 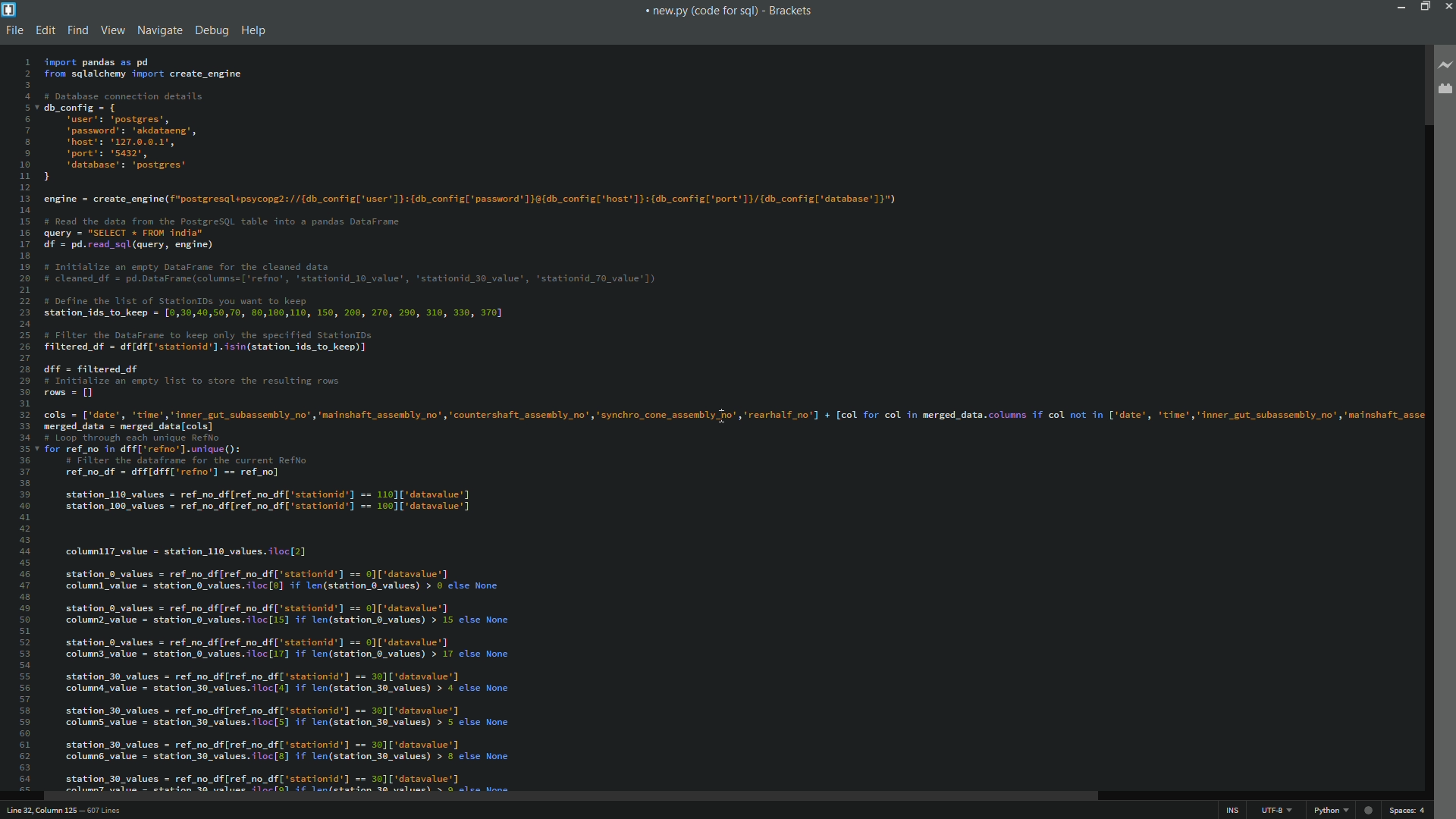 What do you see at coordinates (1447, 66) in the screenshot?
I see `live preview` at bounding box center [1447, 66].